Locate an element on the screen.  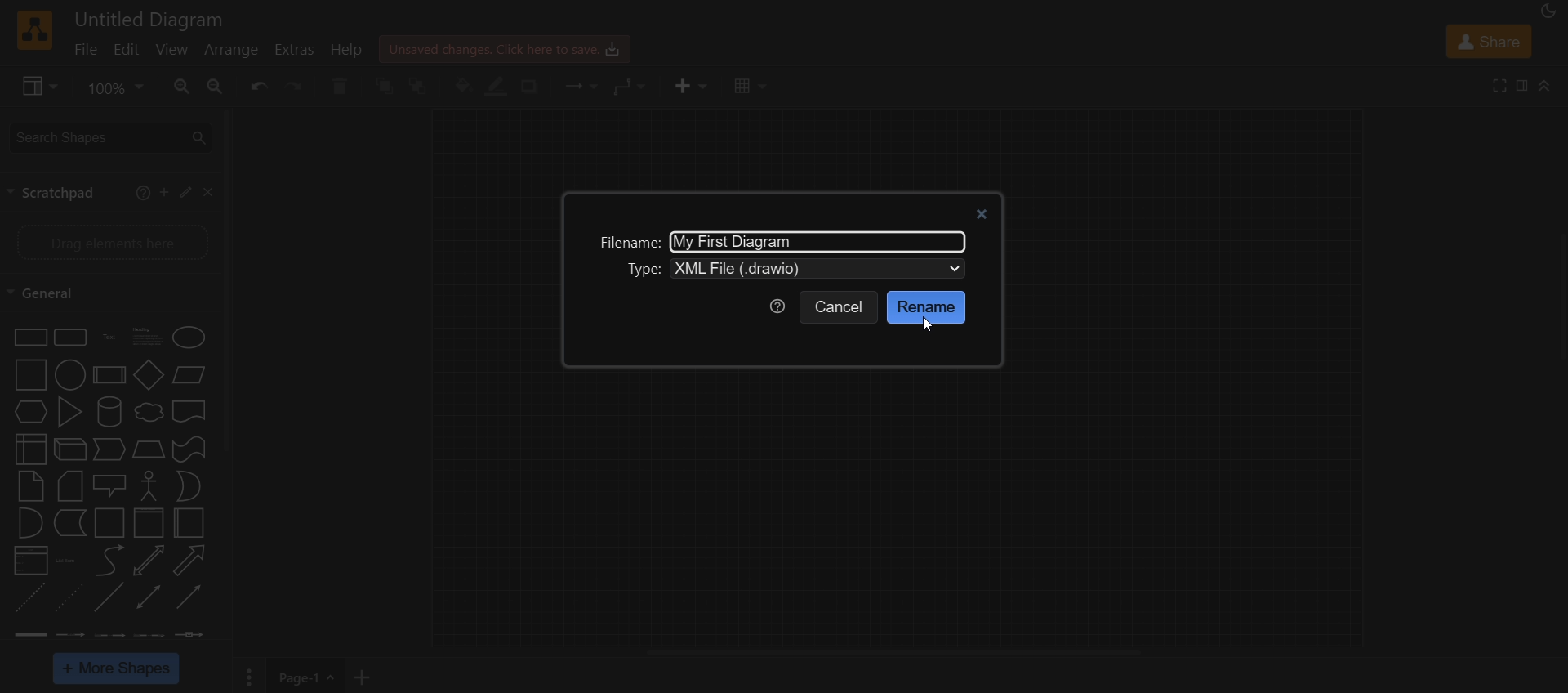
undo is located at coordinates (255, 87).